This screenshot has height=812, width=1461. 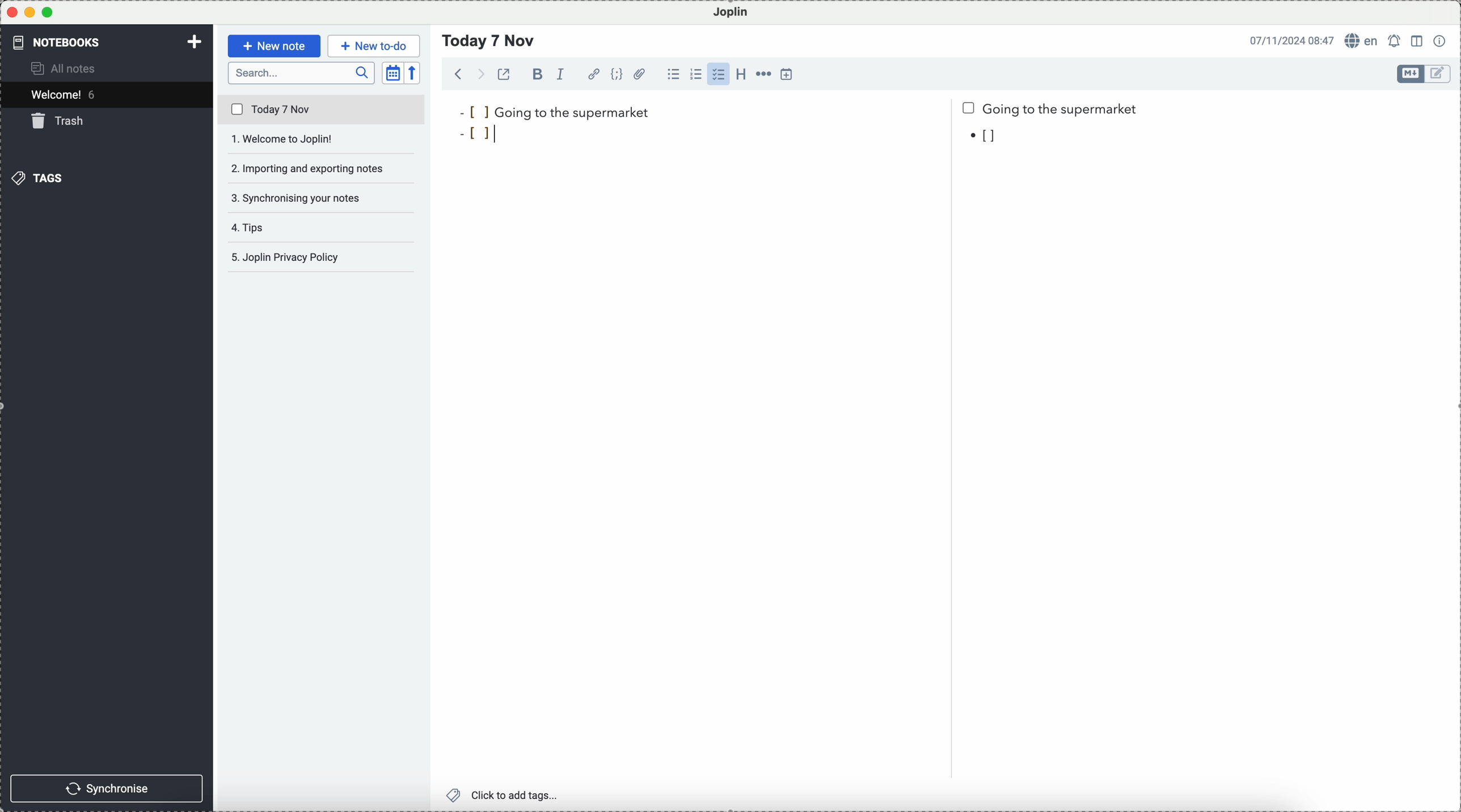 I want to click on note properties, so click(x=1441, y=41).